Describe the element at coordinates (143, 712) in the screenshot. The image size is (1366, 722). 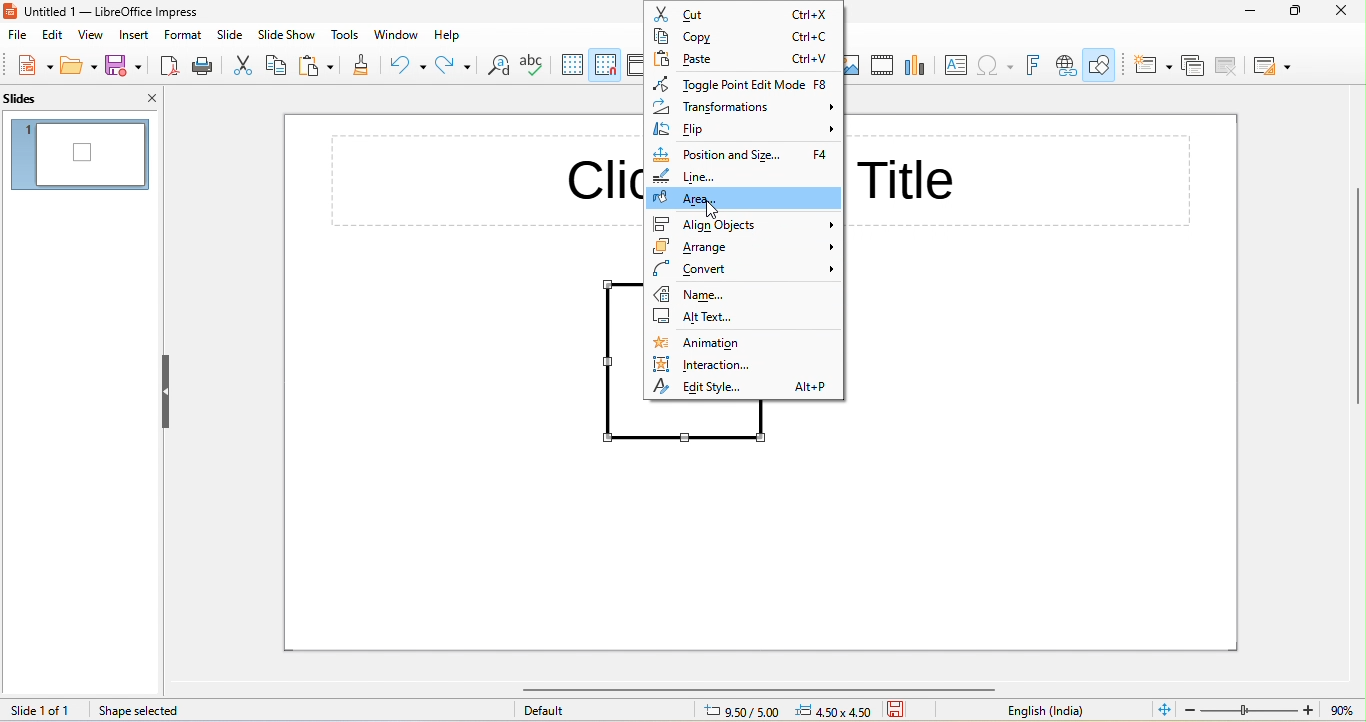
I see `shape selected` at that location.